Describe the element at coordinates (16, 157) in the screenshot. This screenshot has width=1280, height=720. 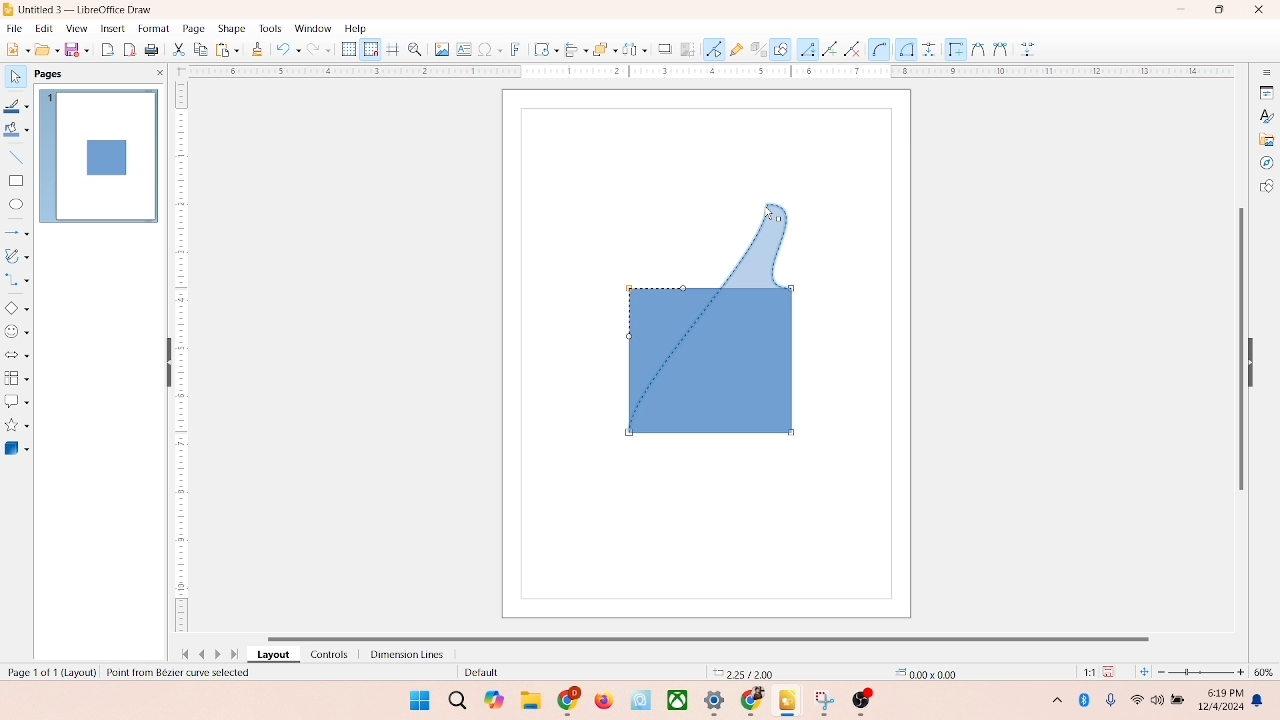
I see `insert line` at that location.